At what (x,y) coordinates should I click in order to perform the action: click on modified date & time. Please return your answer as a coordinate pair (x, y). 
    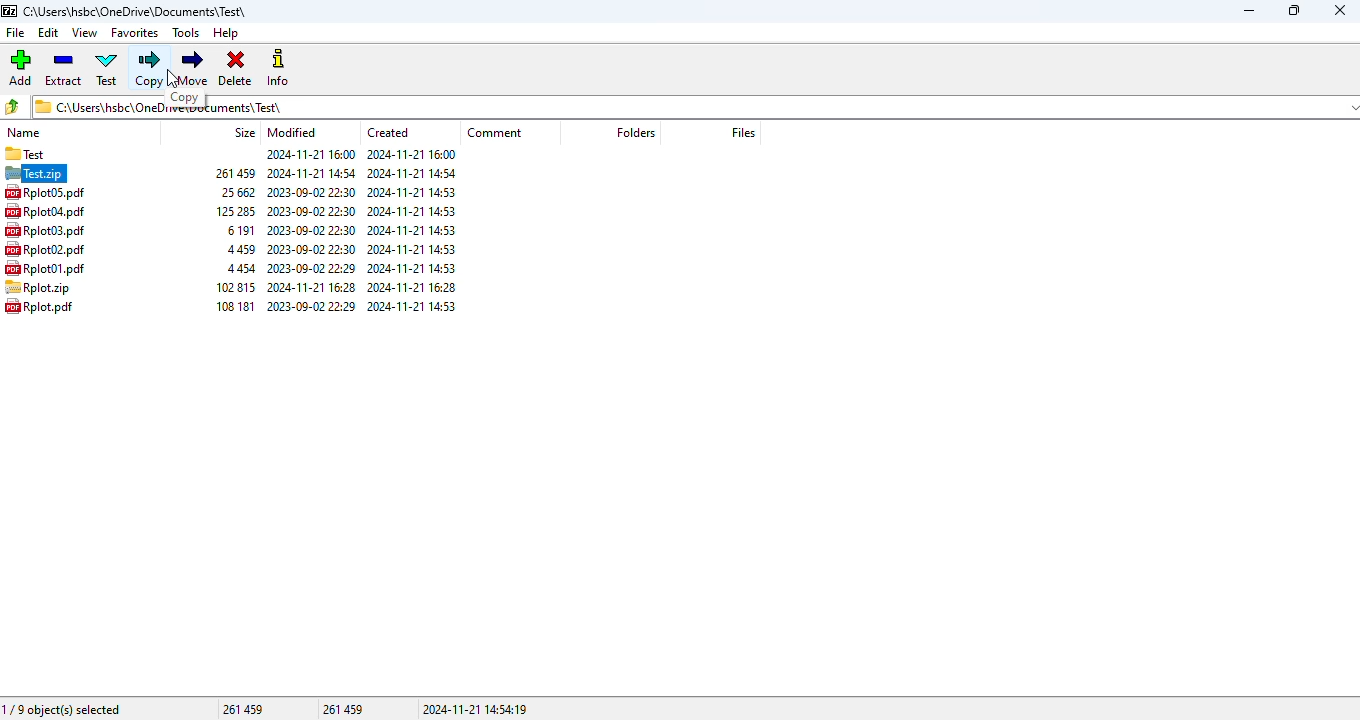
    Looking at the image, I should click on (311, 154).